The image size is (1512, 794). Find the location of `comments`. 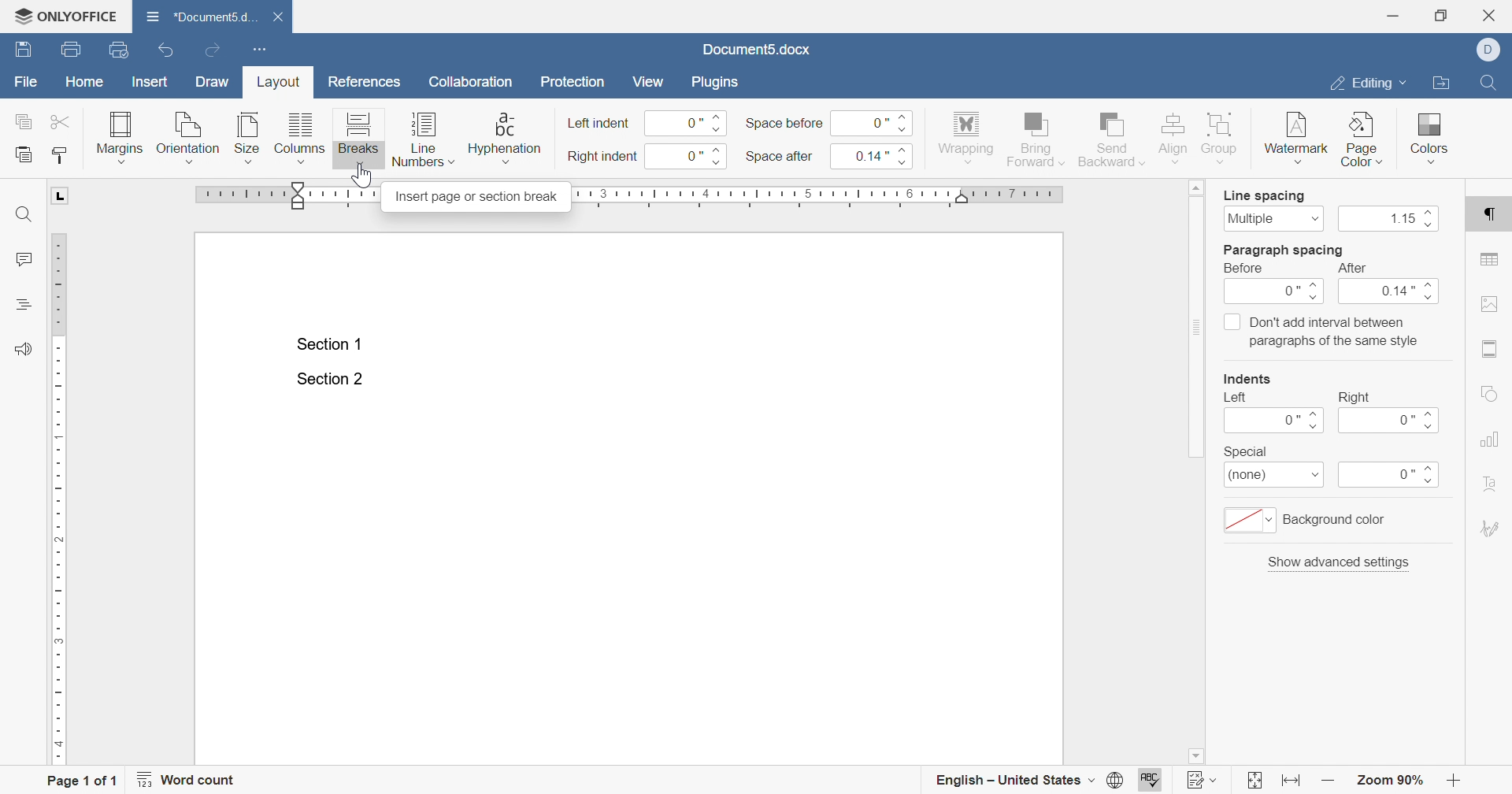

comments is located at coordinates (24, 260).